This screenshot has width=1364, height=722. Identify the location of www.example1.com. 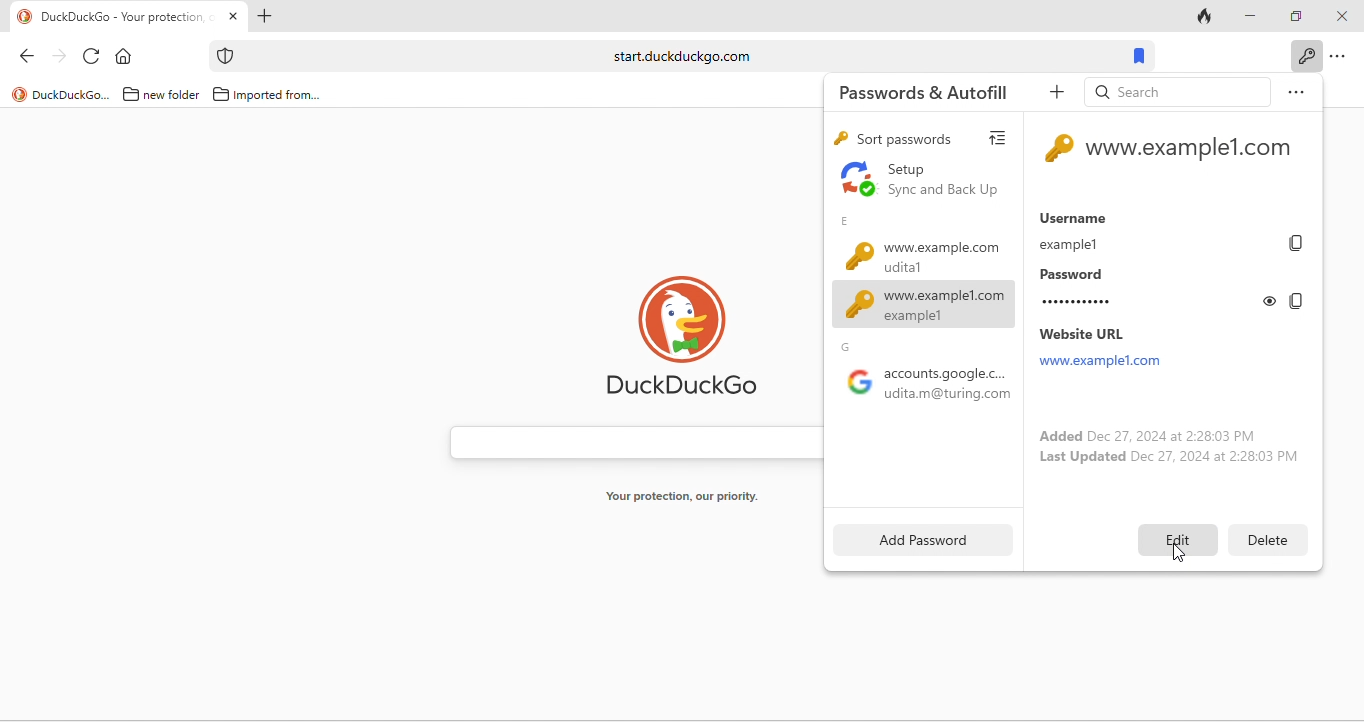
(926, 307).